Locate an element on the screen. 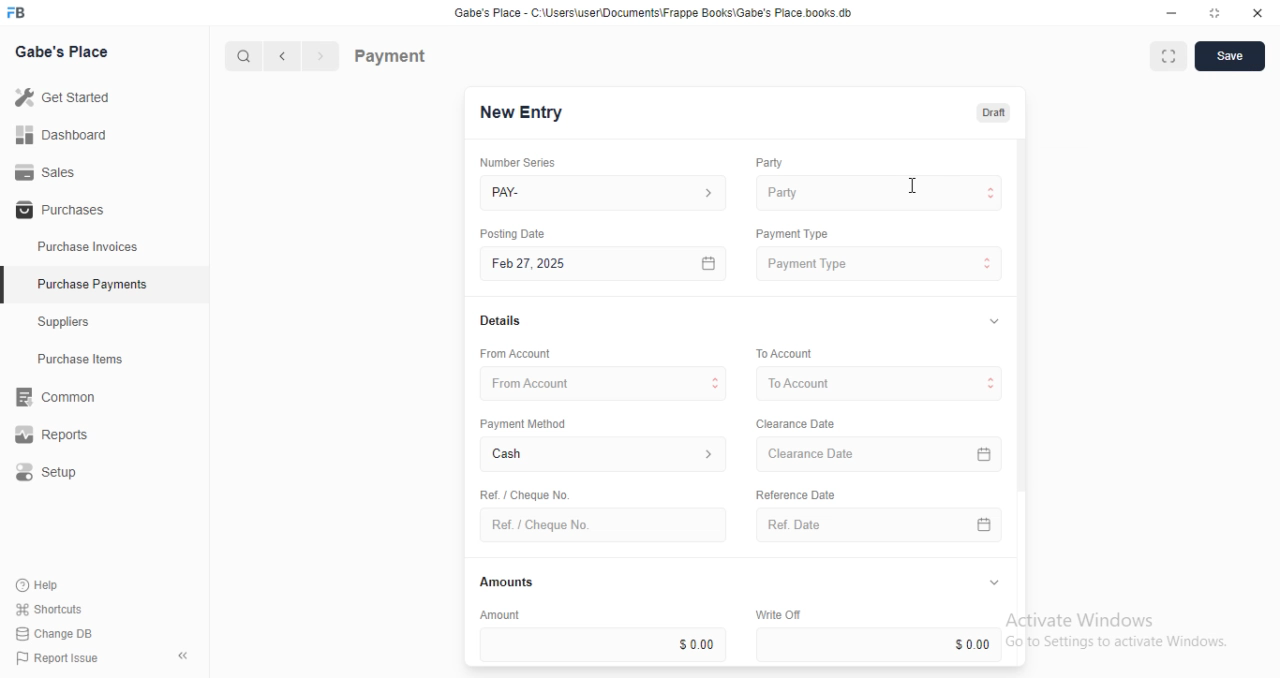  Payment Type is located at coordinates (880, 263).